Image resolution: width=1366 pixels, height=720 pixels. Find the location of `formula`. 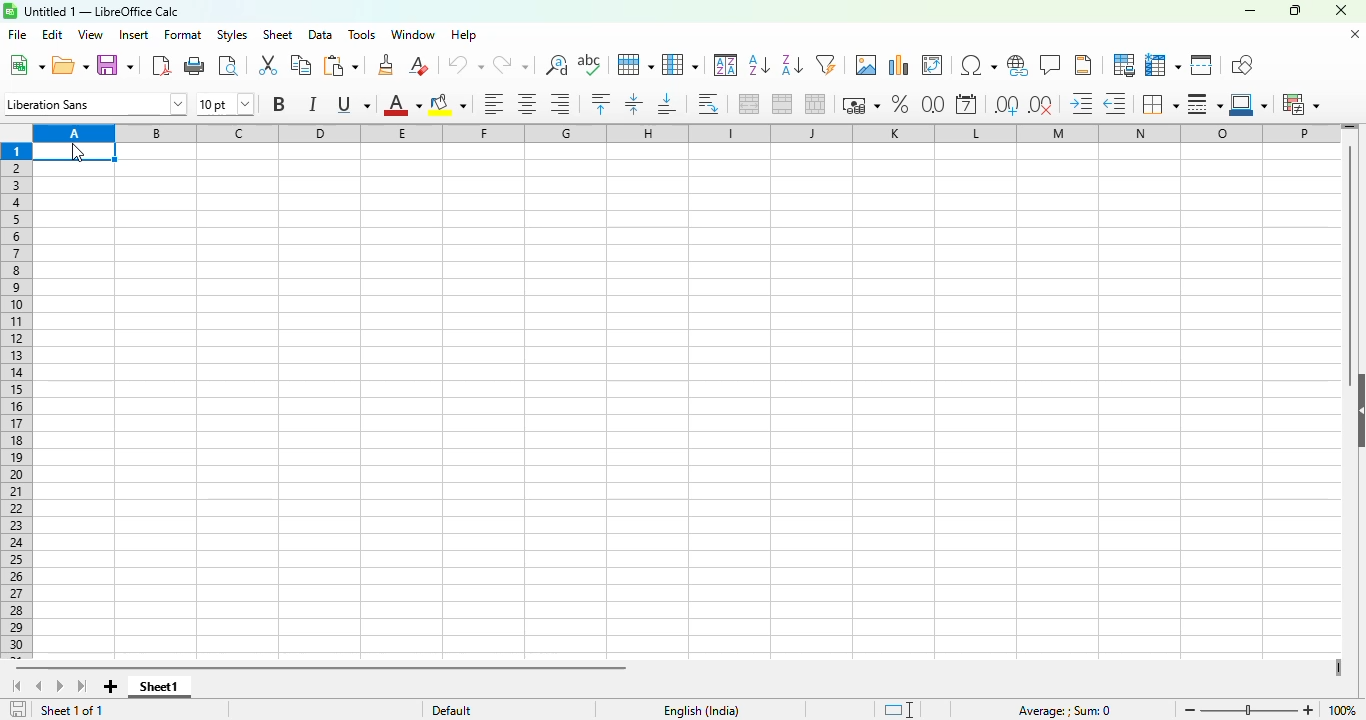

formula is located at coordinates (1064, 711).